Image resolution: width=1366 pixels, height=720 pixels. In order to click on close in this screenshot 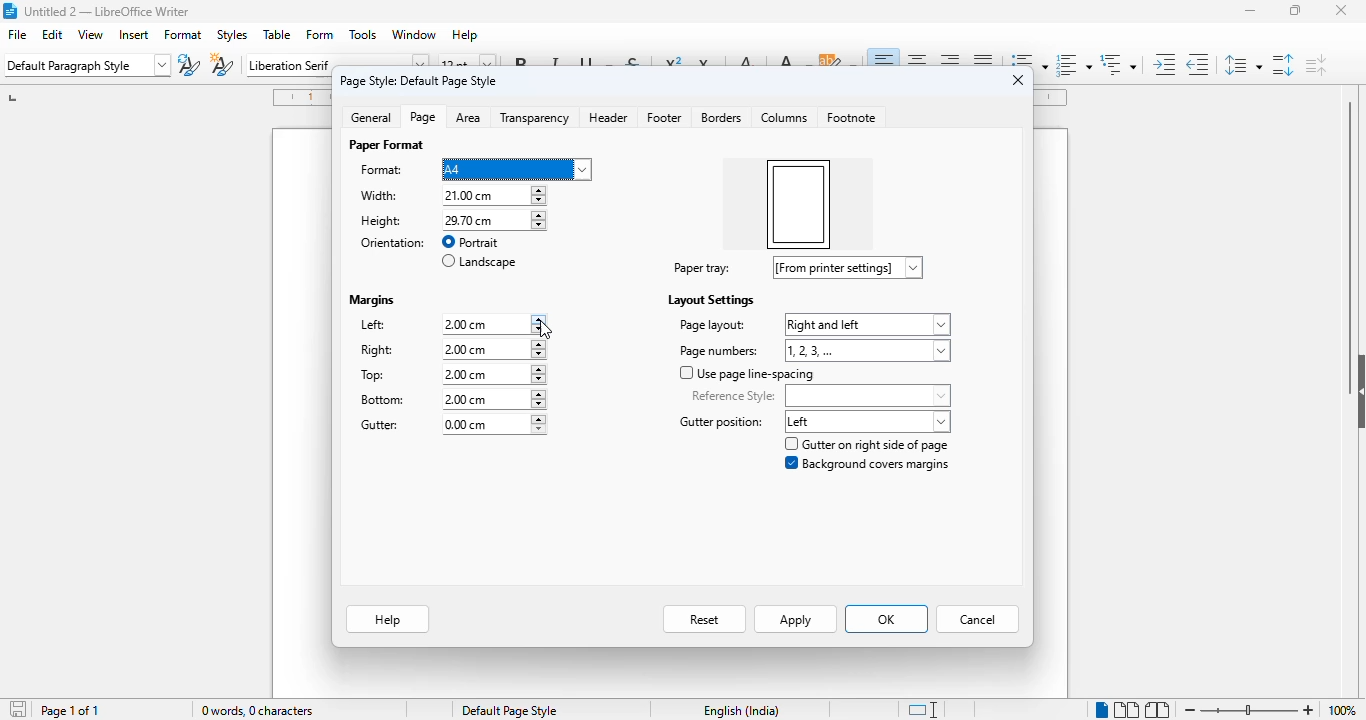, I will do `click(1019, 80)`.